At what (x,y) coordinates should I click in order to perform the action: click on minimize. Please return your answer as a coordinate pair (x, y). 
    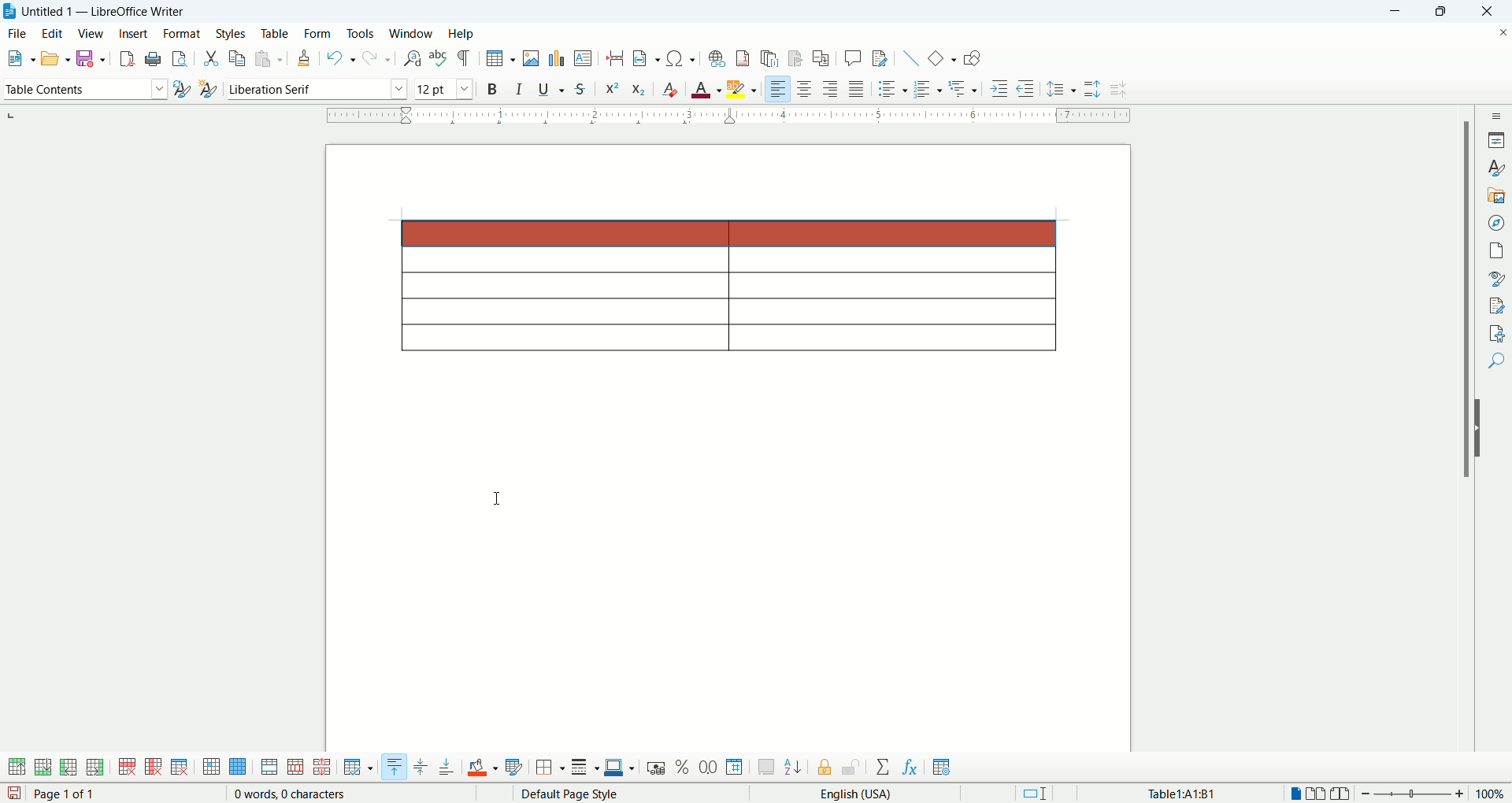
    Looking at the image, I should click on (1399, 12).